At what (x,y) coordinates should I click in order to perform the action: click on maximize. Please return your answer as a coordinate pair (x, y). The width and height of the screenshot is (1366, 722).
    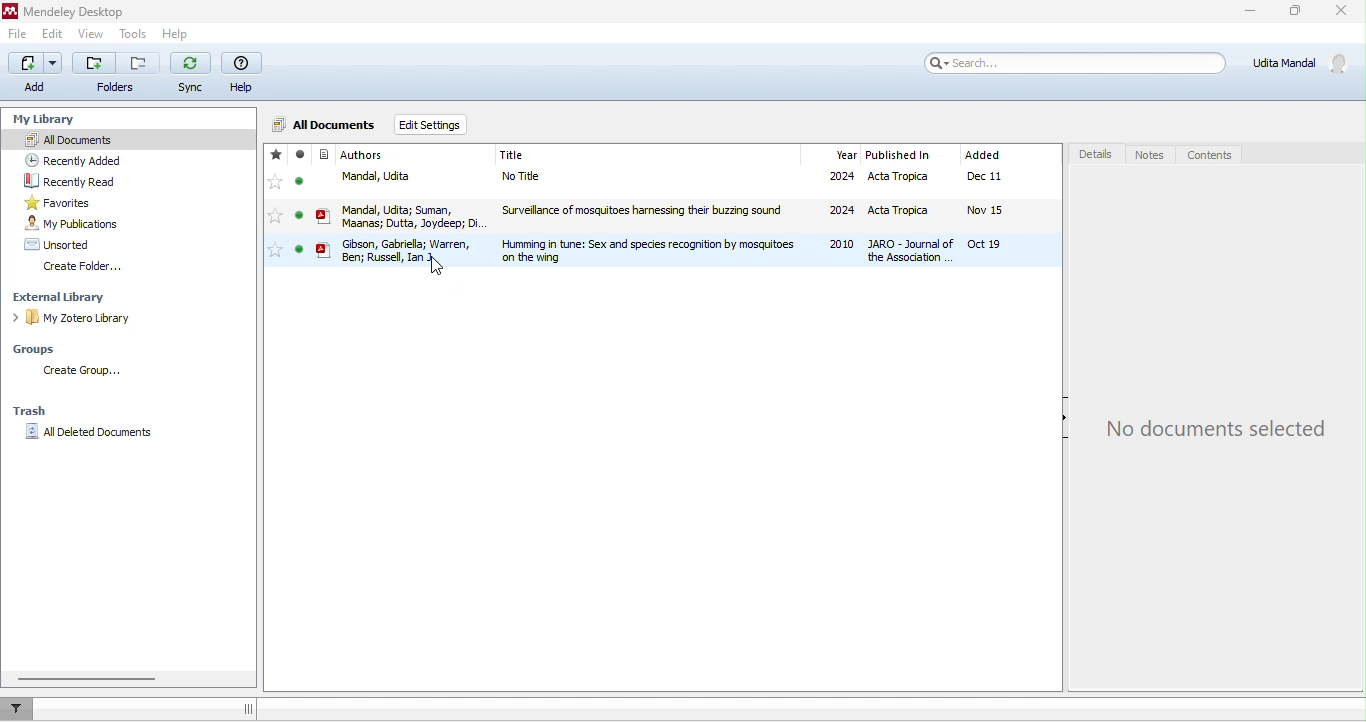
    Looking at the image, I should click on (1293, 14).